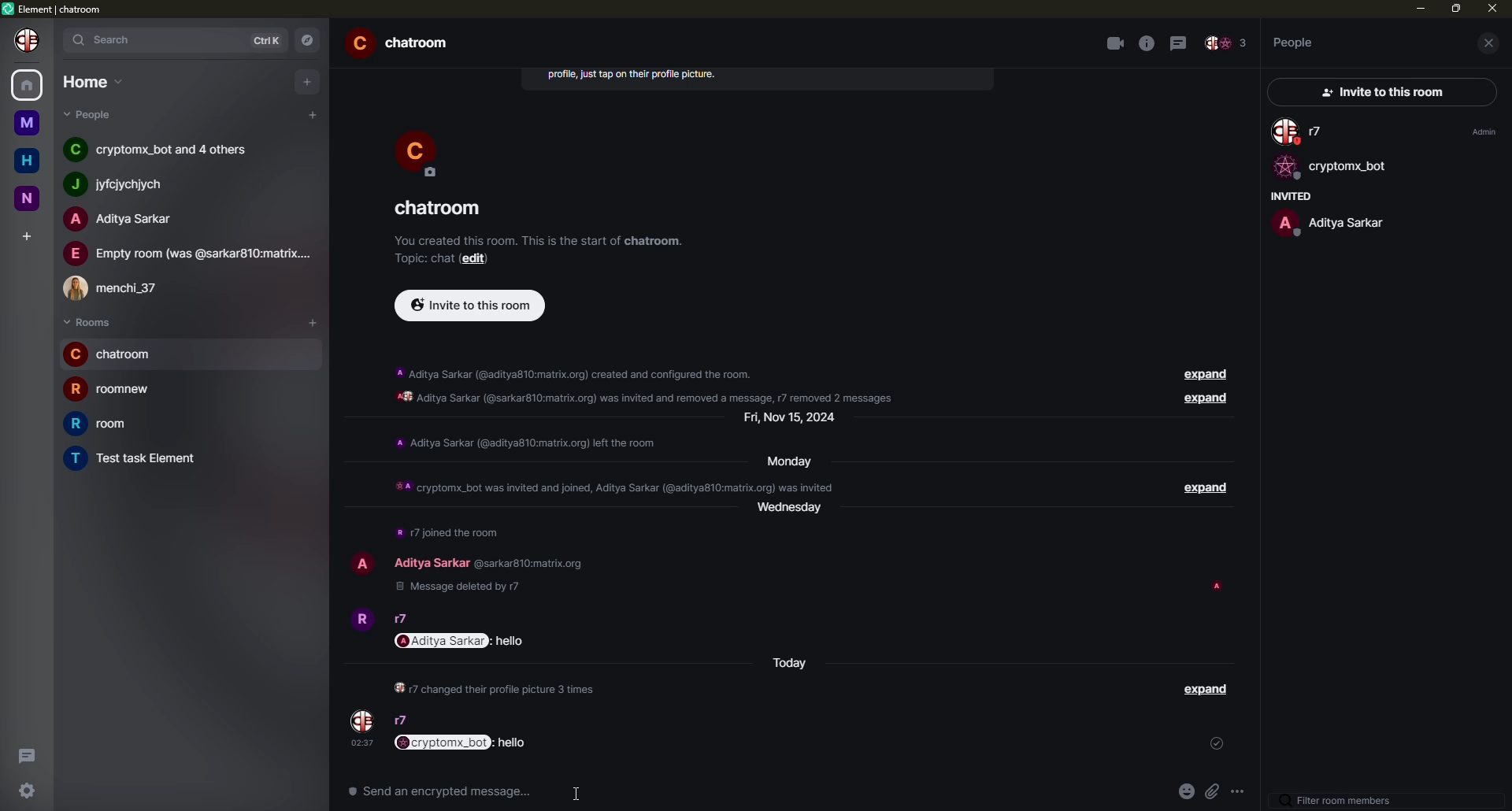 This screenshot has height=811, width=1512. What do you see at coordinates (1295, 42) in the screenshot?
I see `people` at bounding box center [1295, 42].